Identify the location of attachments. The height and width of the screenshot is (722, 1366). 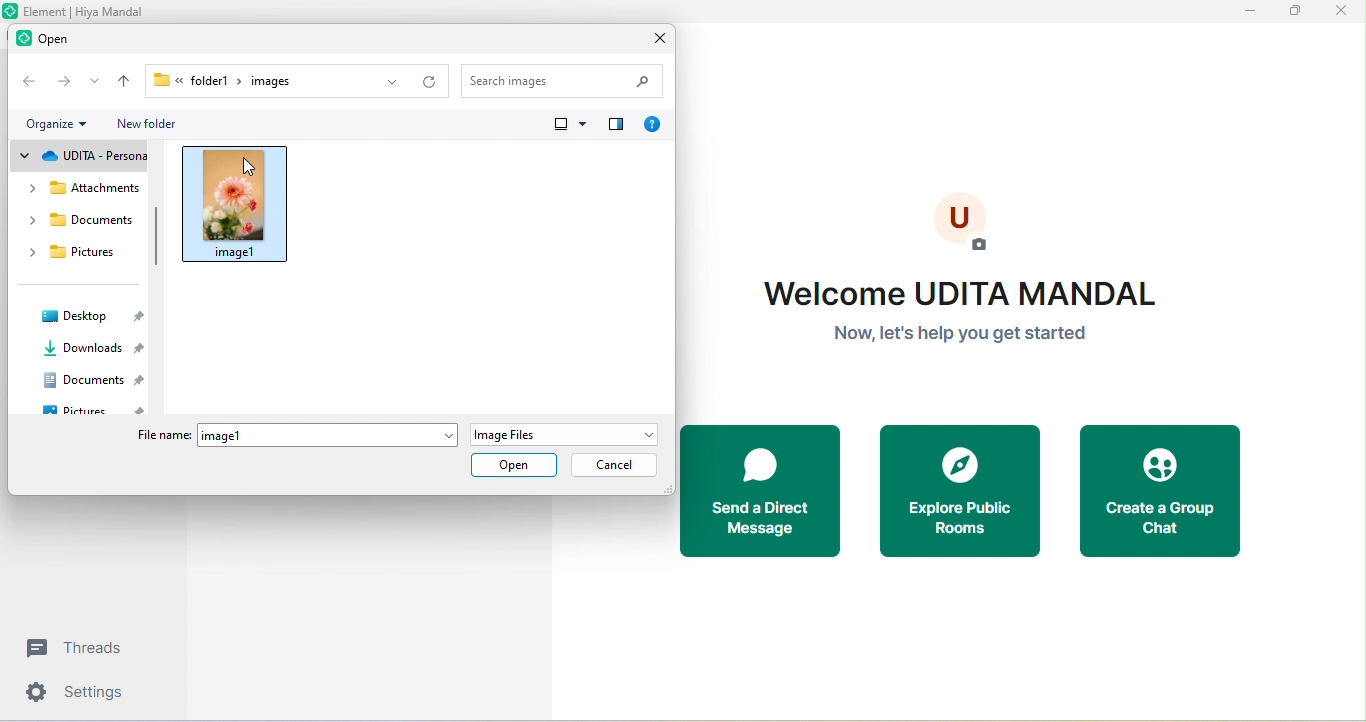
(81, 187).